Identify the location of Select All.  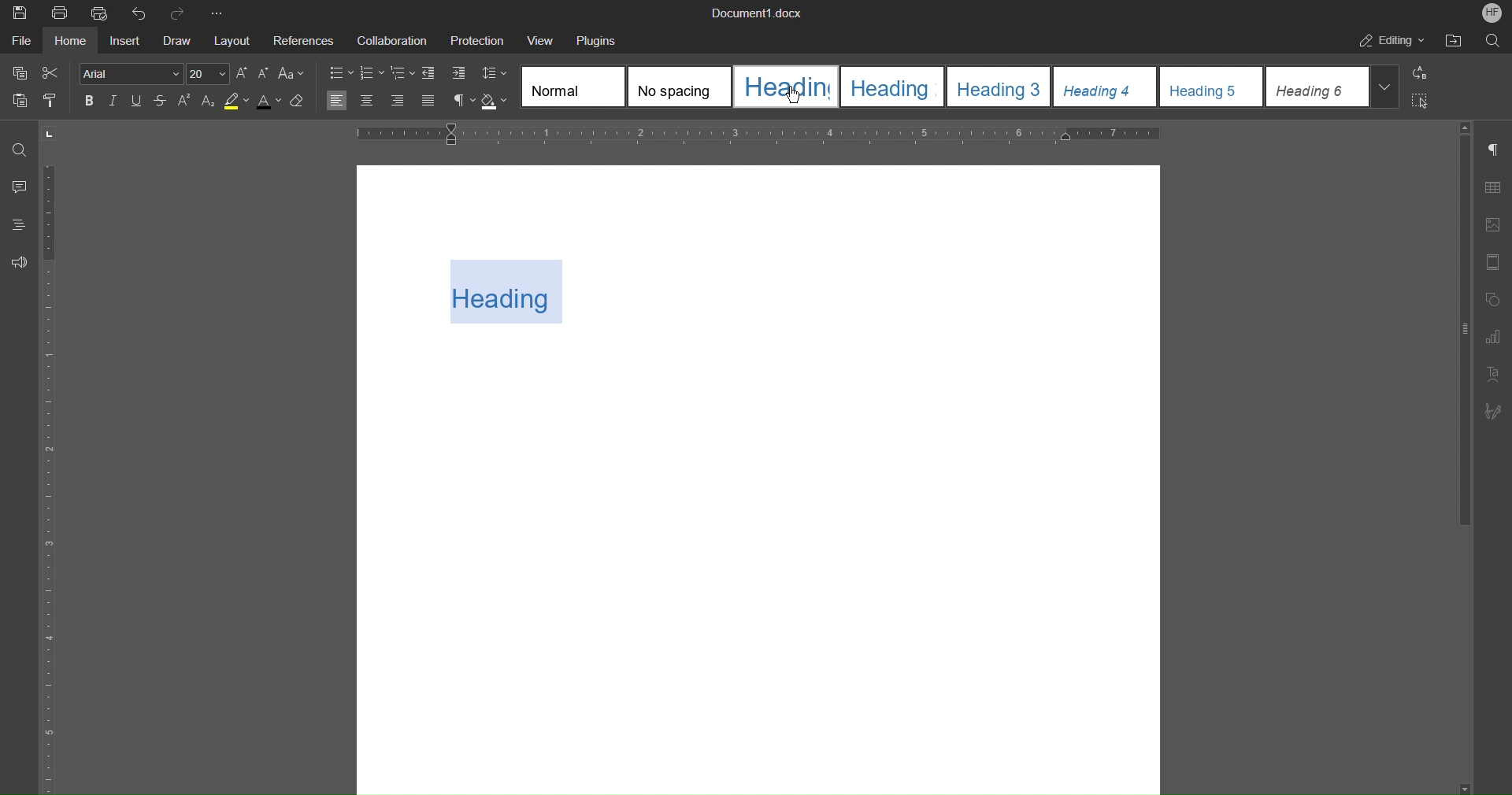
(1424, 101).